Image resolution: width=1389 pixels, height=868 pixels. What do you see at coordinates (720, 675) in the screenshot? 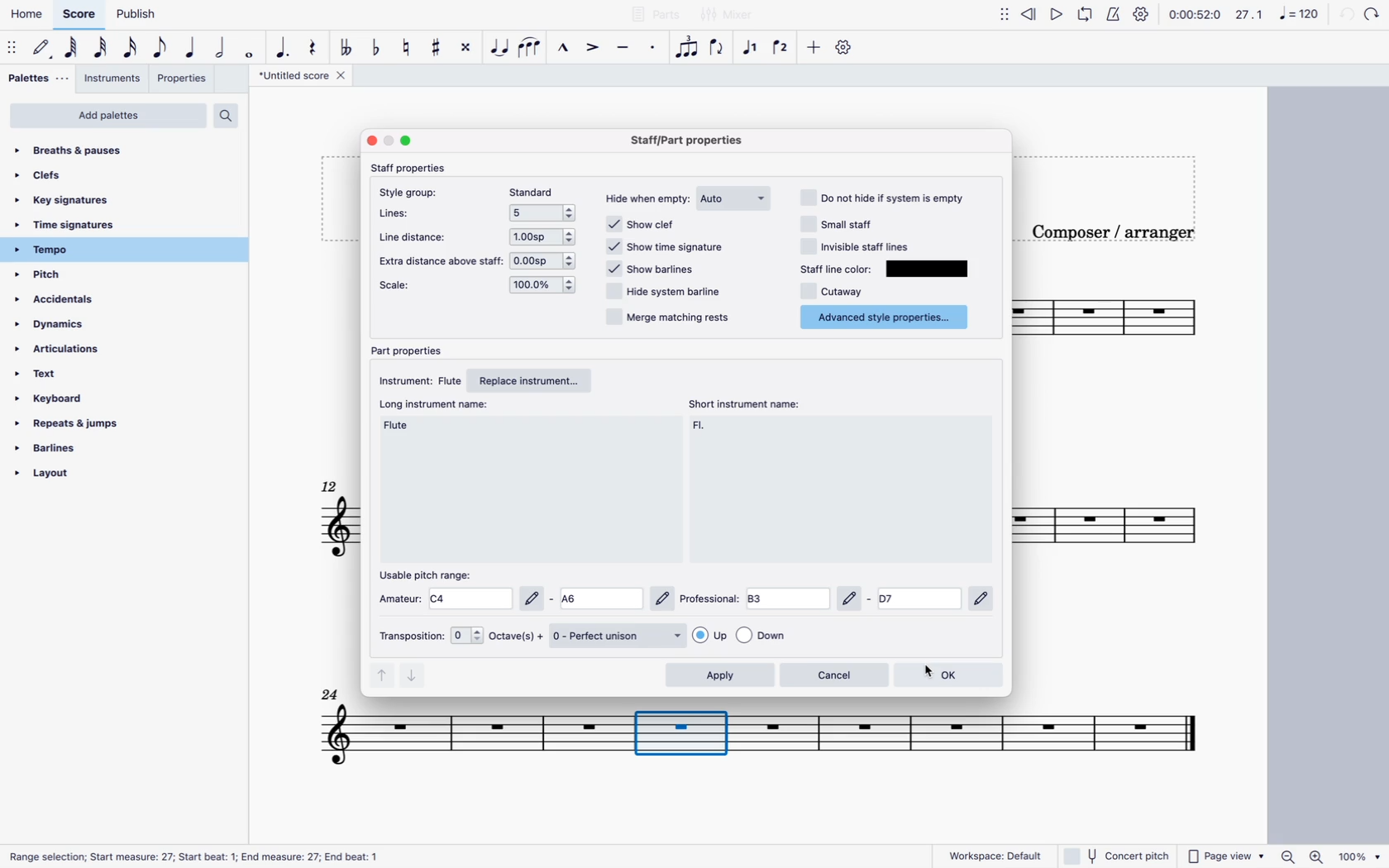
I see `apply` at bounding box center [720, 675].